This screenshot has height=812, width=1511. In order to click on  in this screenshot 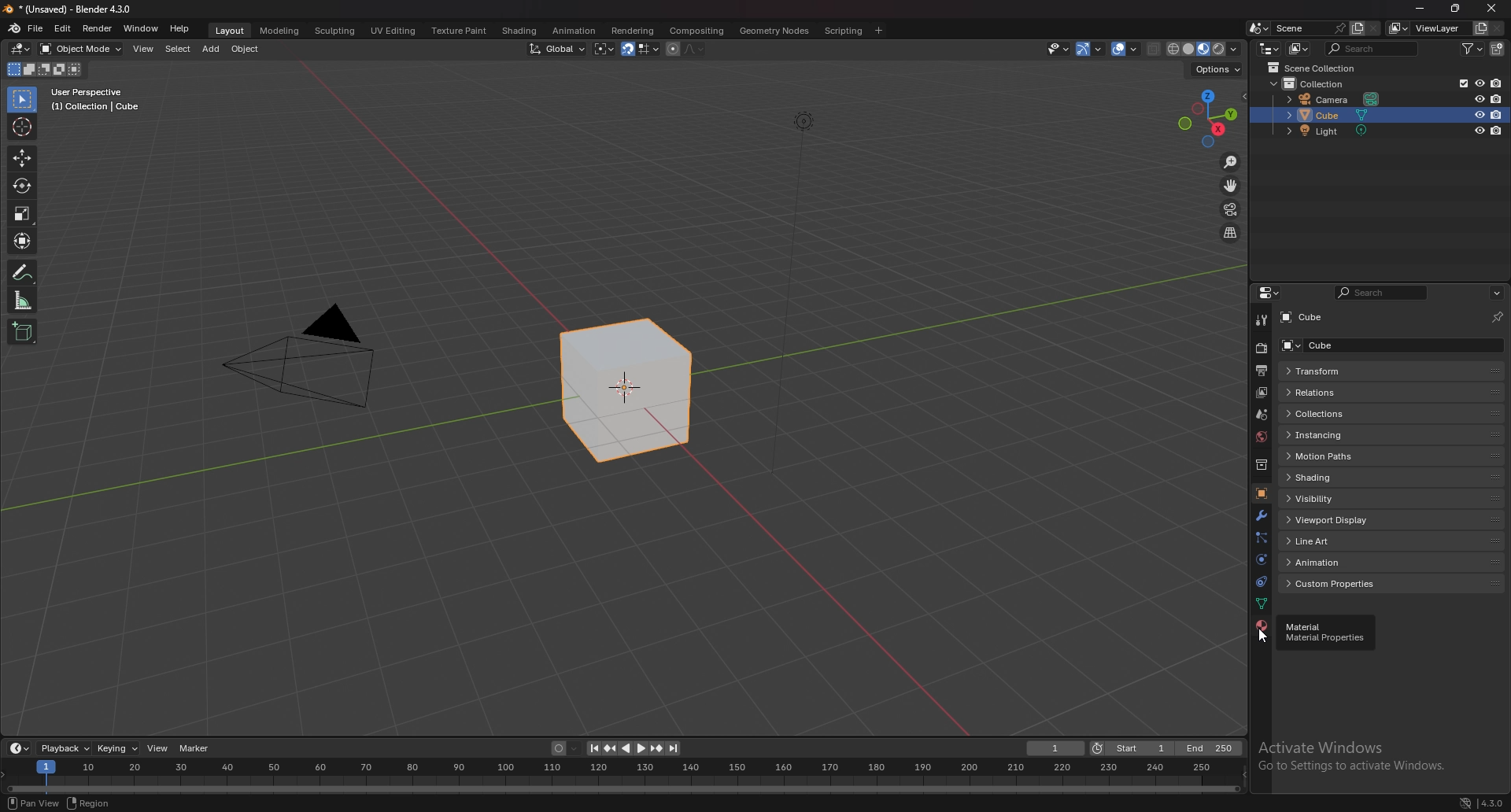, I will do `click(1454, 802)`.